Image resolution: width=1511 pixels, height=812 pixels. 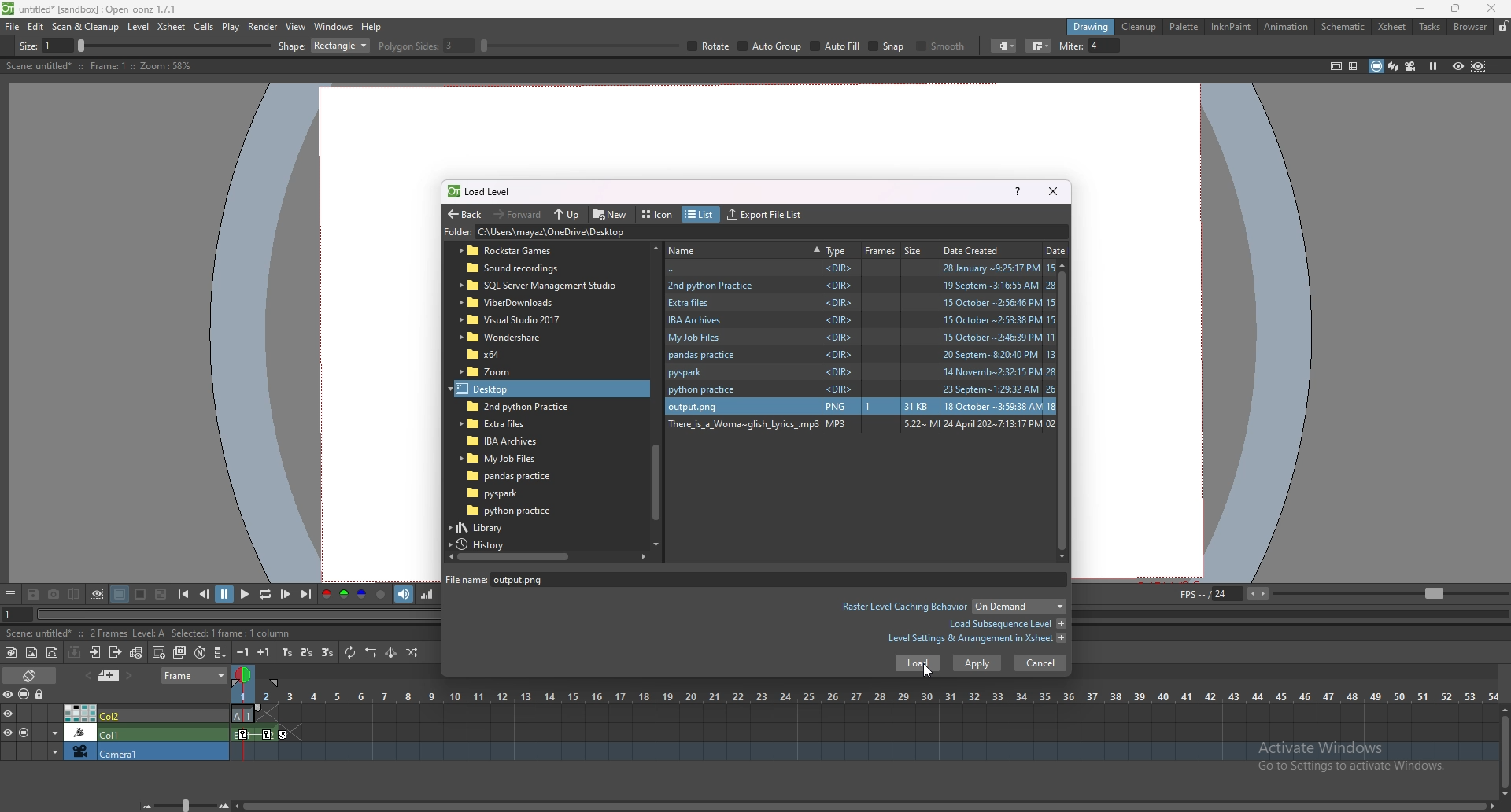 What do you see at coordinates (464, 215) in the screenshot?
I see `back` at bounding box center [464, 215].